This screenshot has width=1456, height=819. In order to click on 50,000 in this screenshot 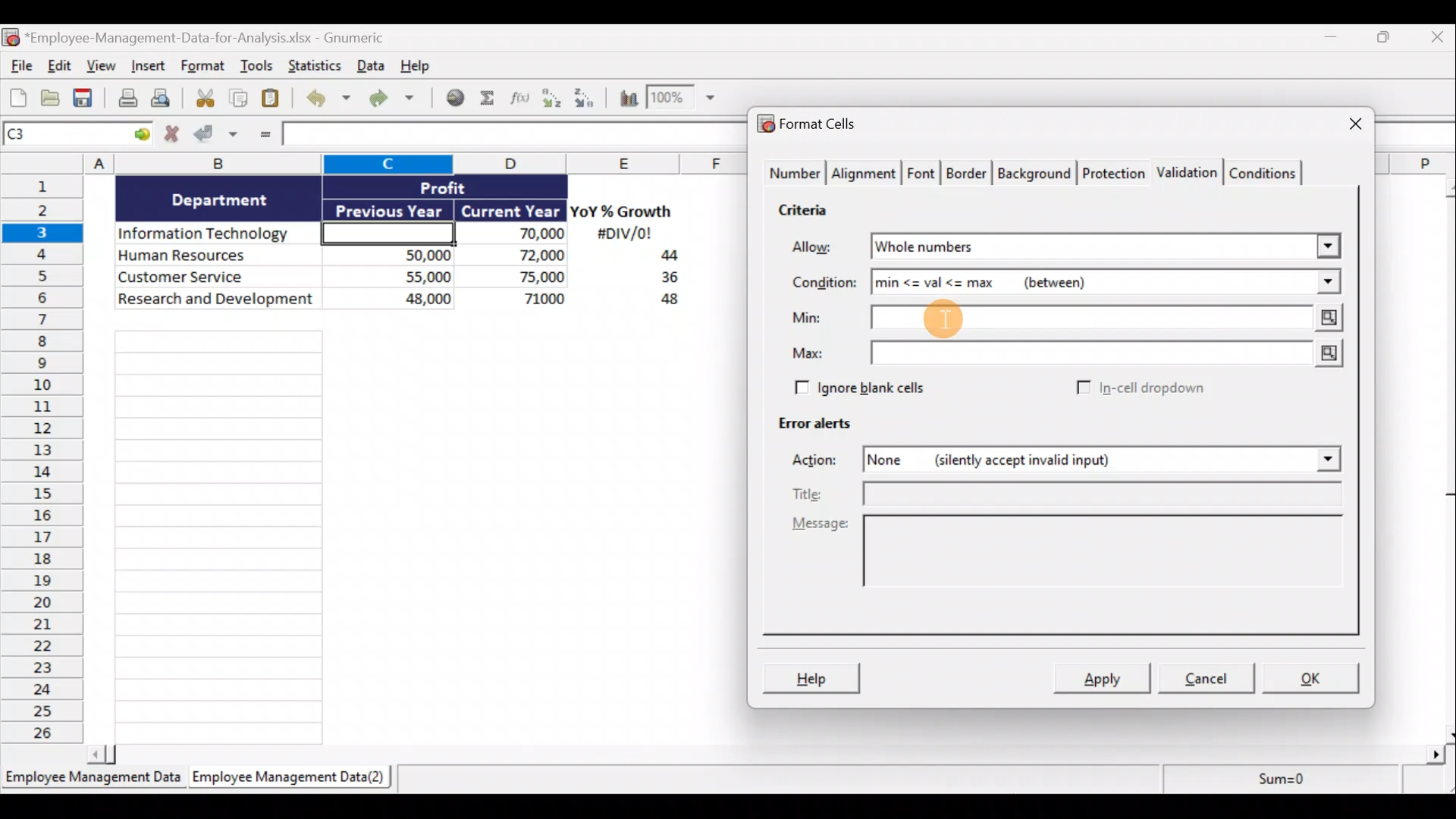, I will do `click(397, 254)`.